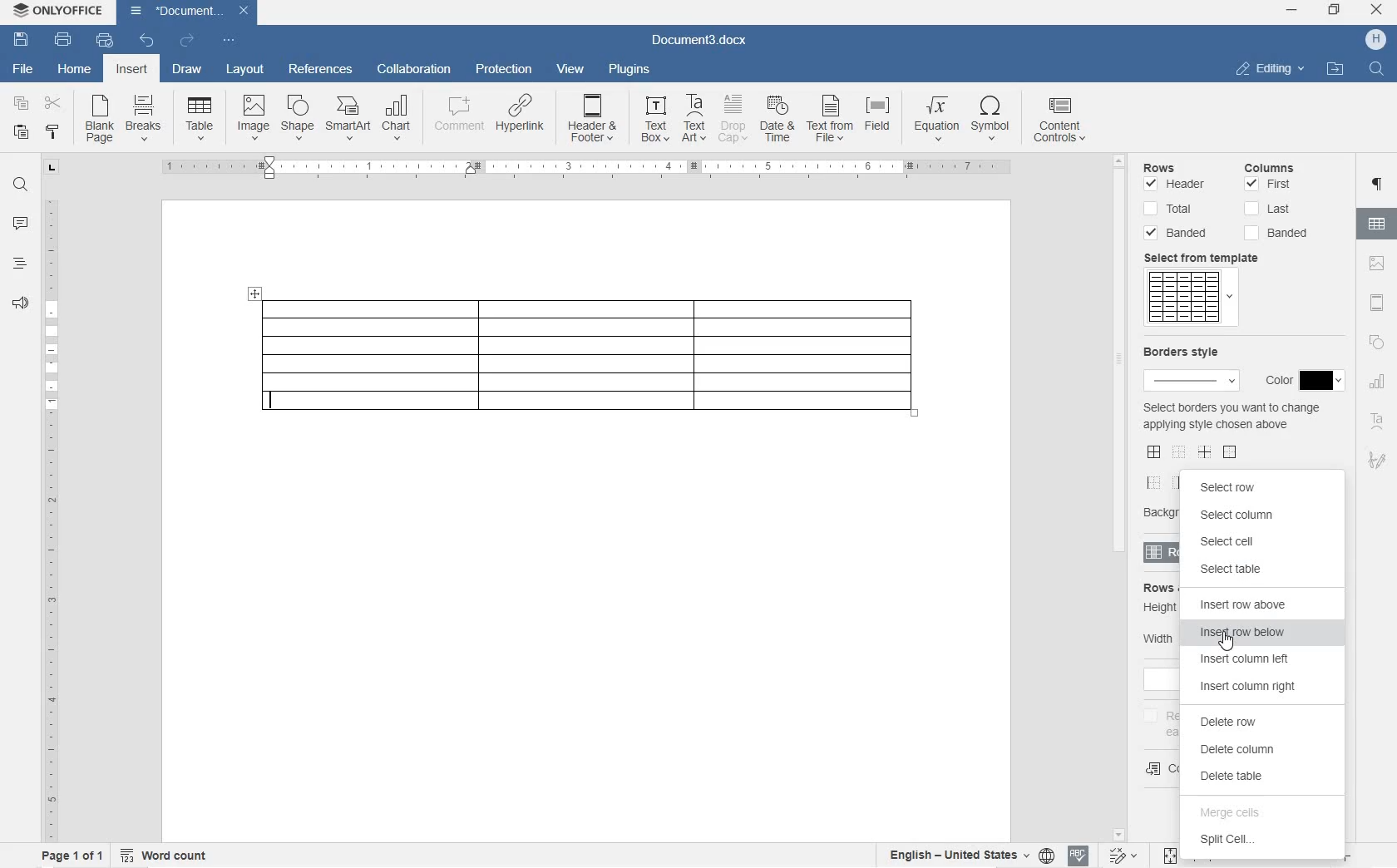 Image resolution: width=1397 pixels, height=868 pixels. I want to click on UNDO, so click(148, 40).